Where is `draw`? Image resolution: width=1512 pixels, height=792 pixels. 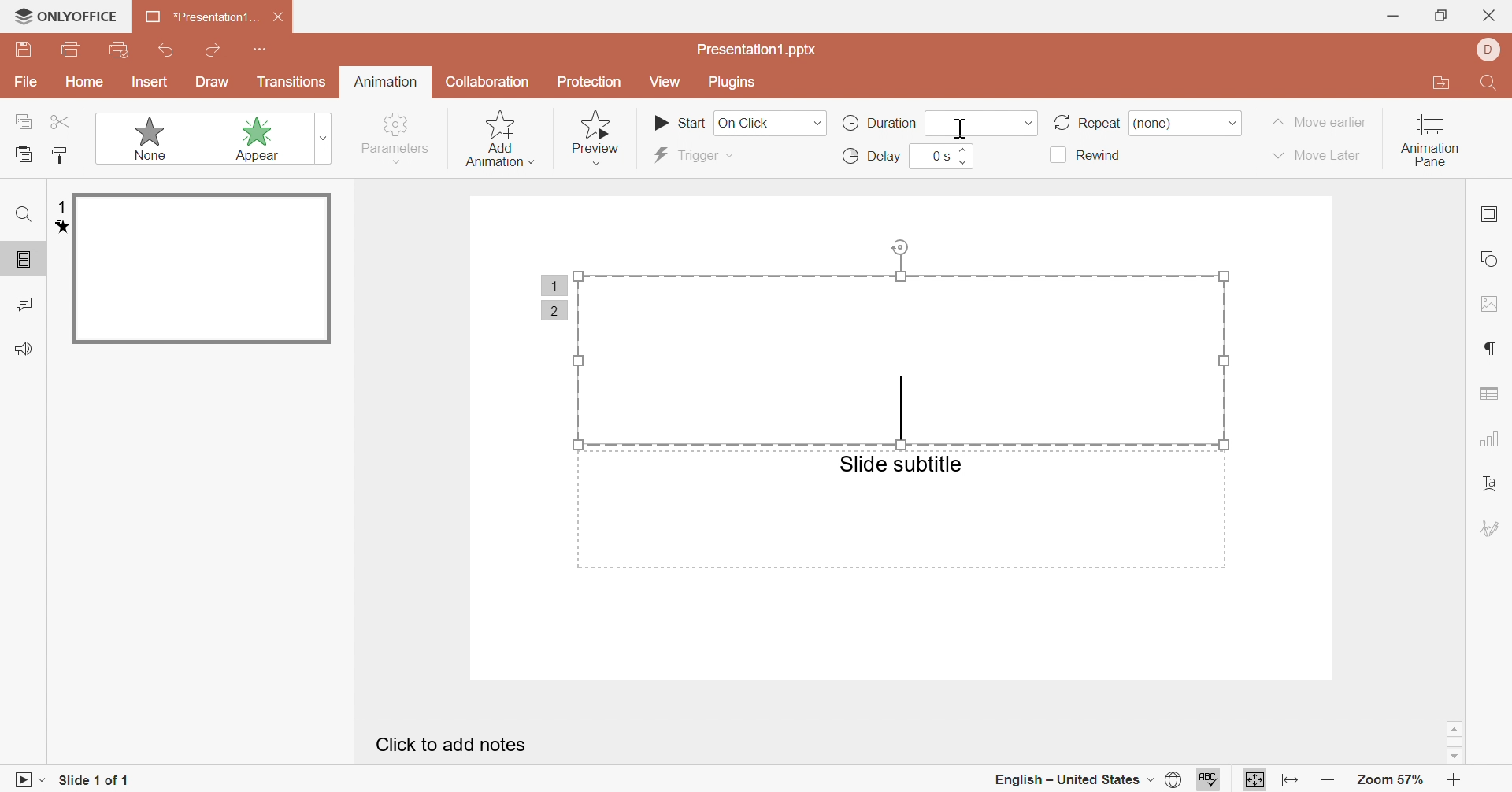 draw is located at coordinates (212, 82).